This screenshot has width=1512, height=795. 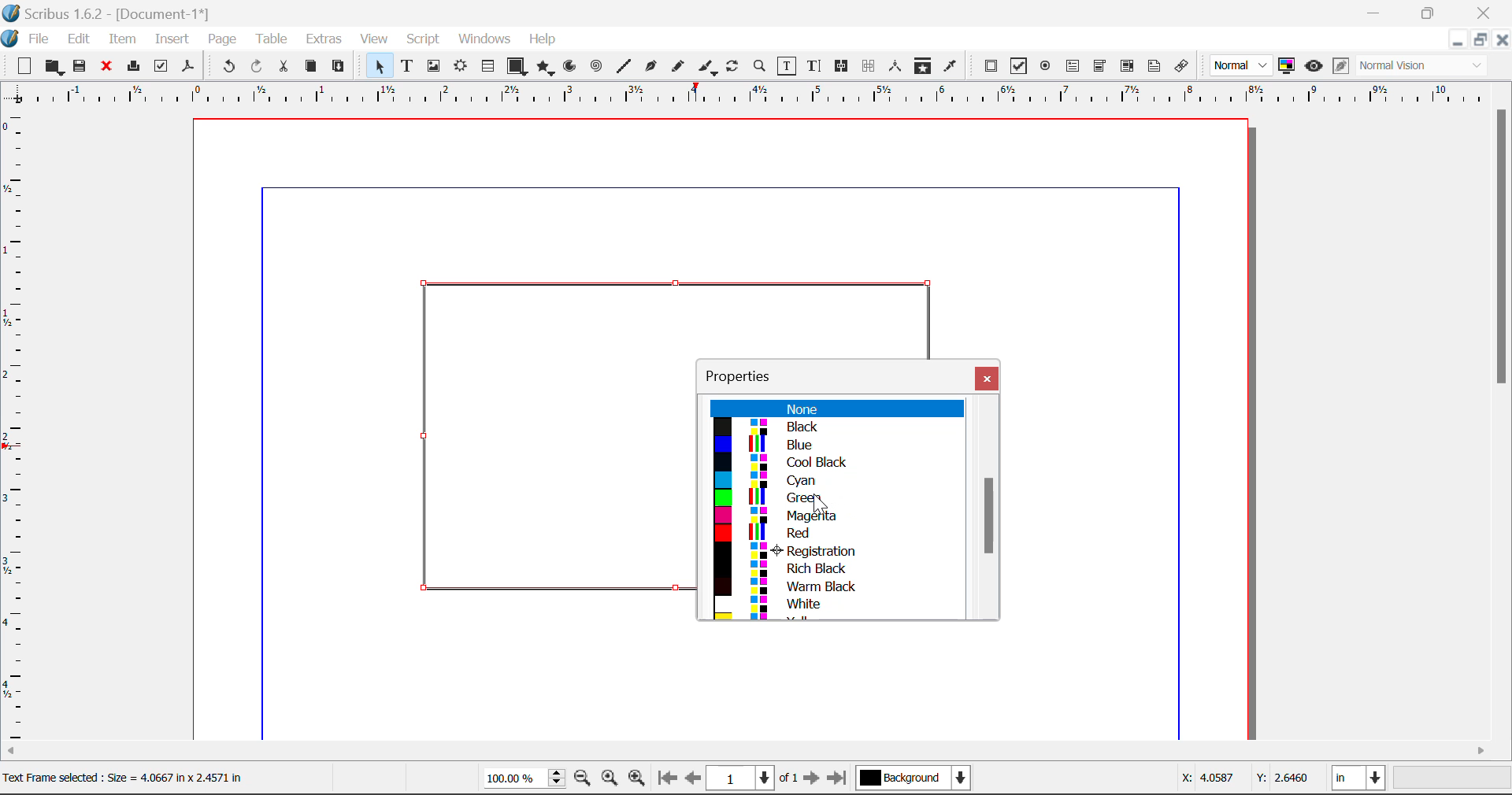 What do you see at coordinates (951, 65) in the screenshot?
I see `Eyedropper` at bounding box center [951, 65].